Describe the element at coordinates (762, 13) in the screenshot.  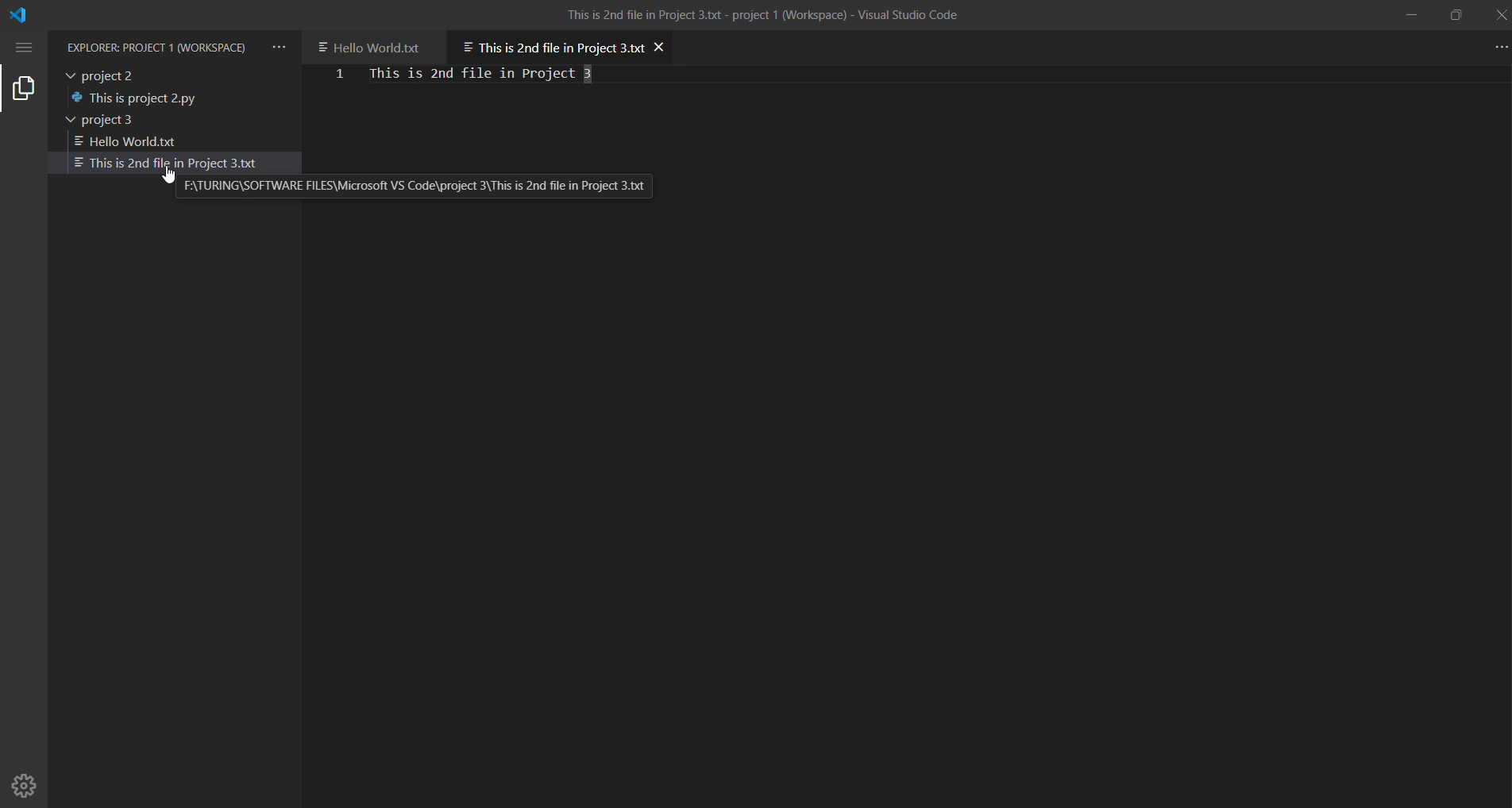
I see `title` at that location.